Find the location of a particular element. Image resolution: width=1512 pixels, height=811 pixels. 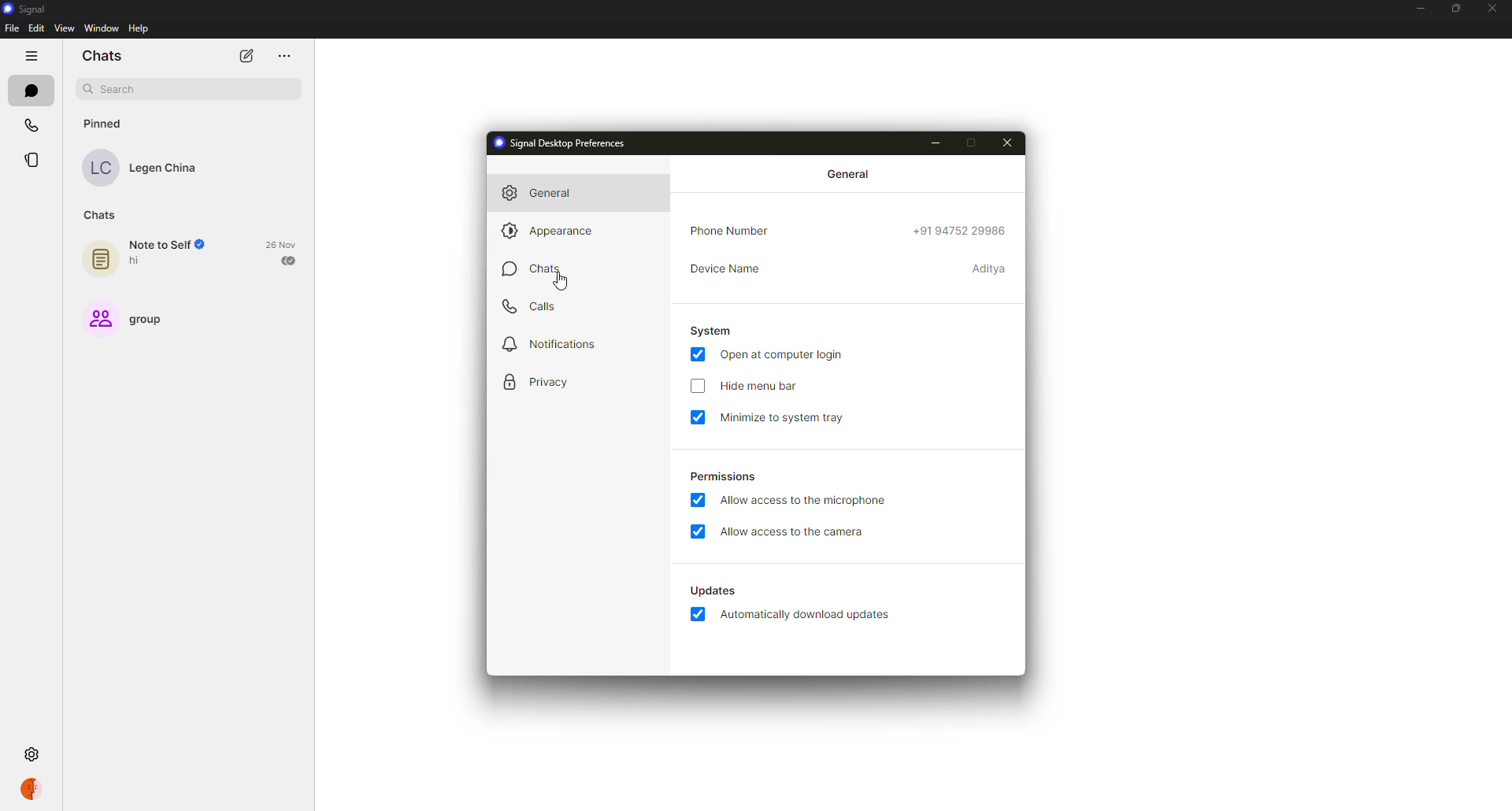

enabled is located at coordinates (700, 355).